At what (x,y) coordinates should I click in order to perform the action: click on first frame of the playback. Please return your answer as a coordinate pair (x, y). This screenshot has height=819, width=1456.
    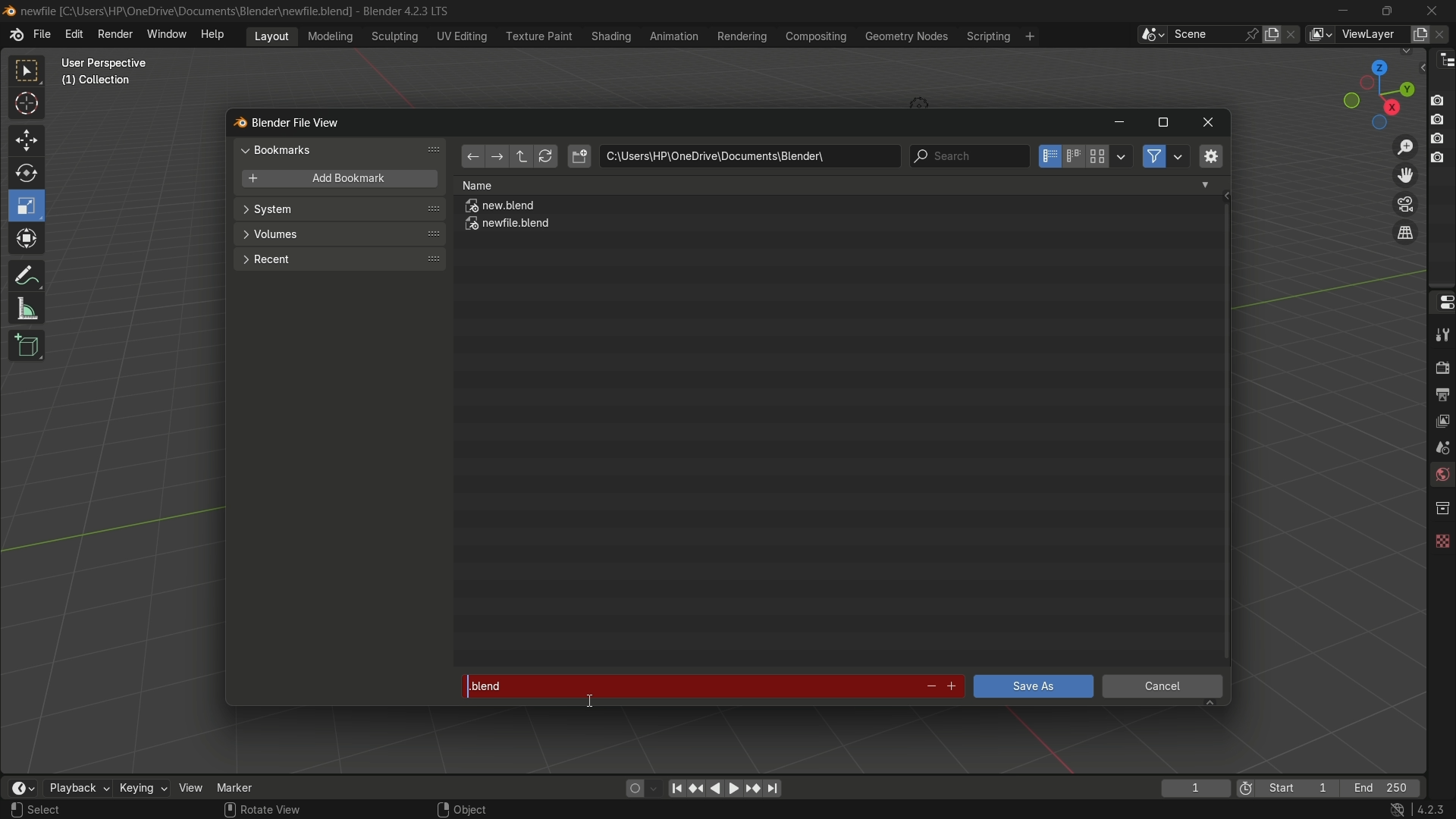
    Looking at the image, I should click on (1288, 788).